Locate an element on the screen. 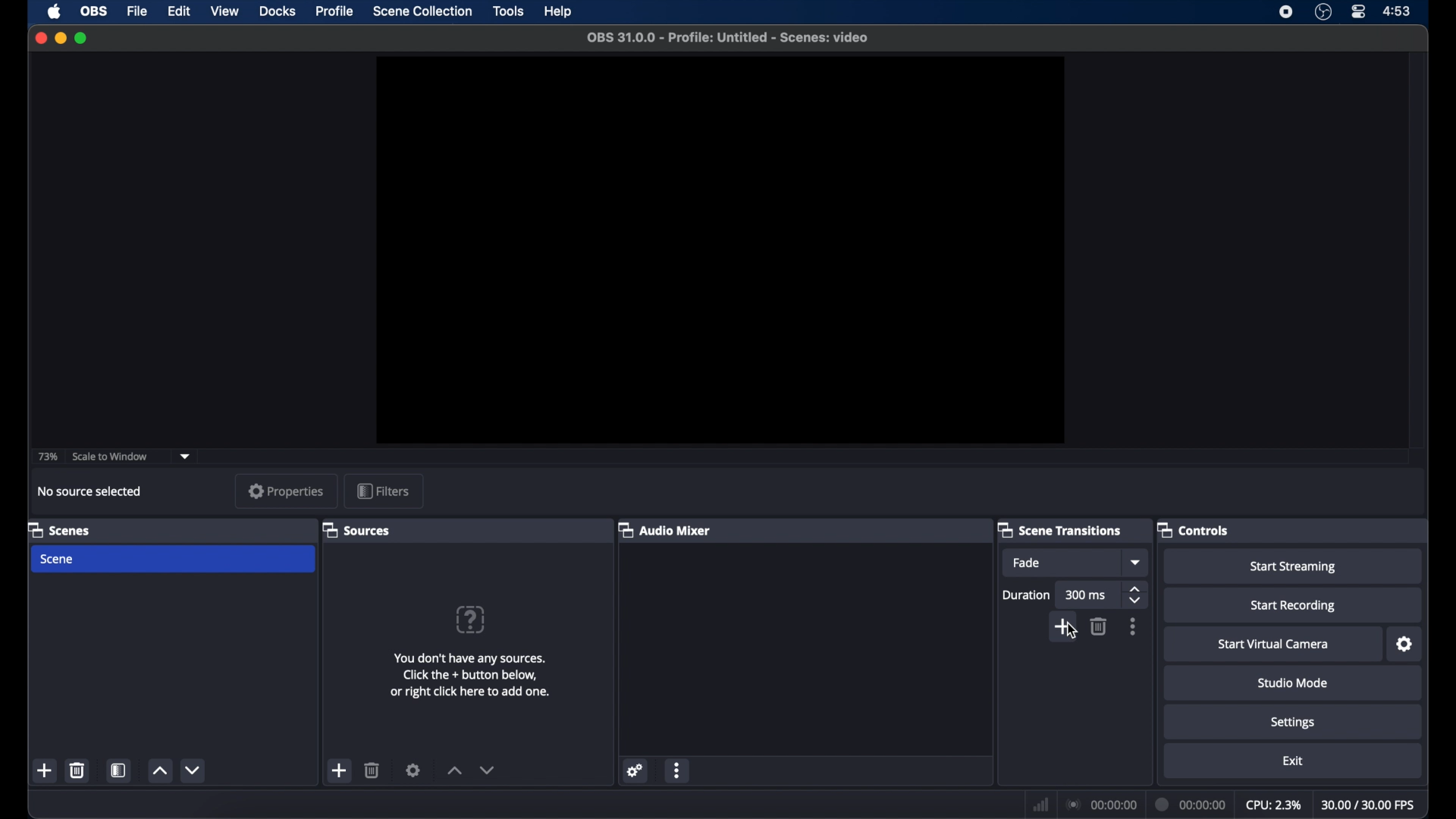  delete is located at coordinates (1098, 626).